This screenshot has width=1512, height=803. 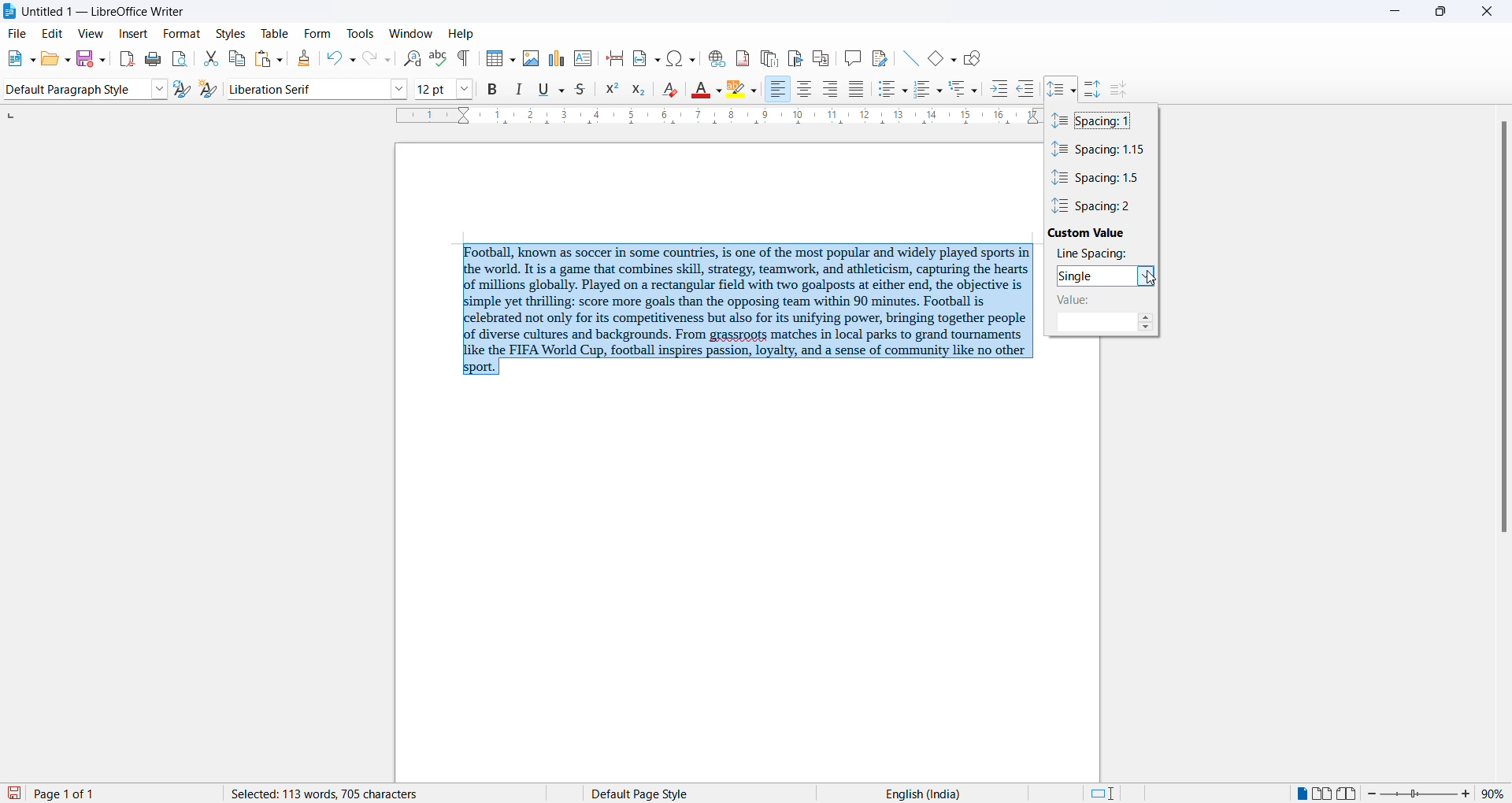 I want to click on toggle ordered list, so click(x=923, y=90).